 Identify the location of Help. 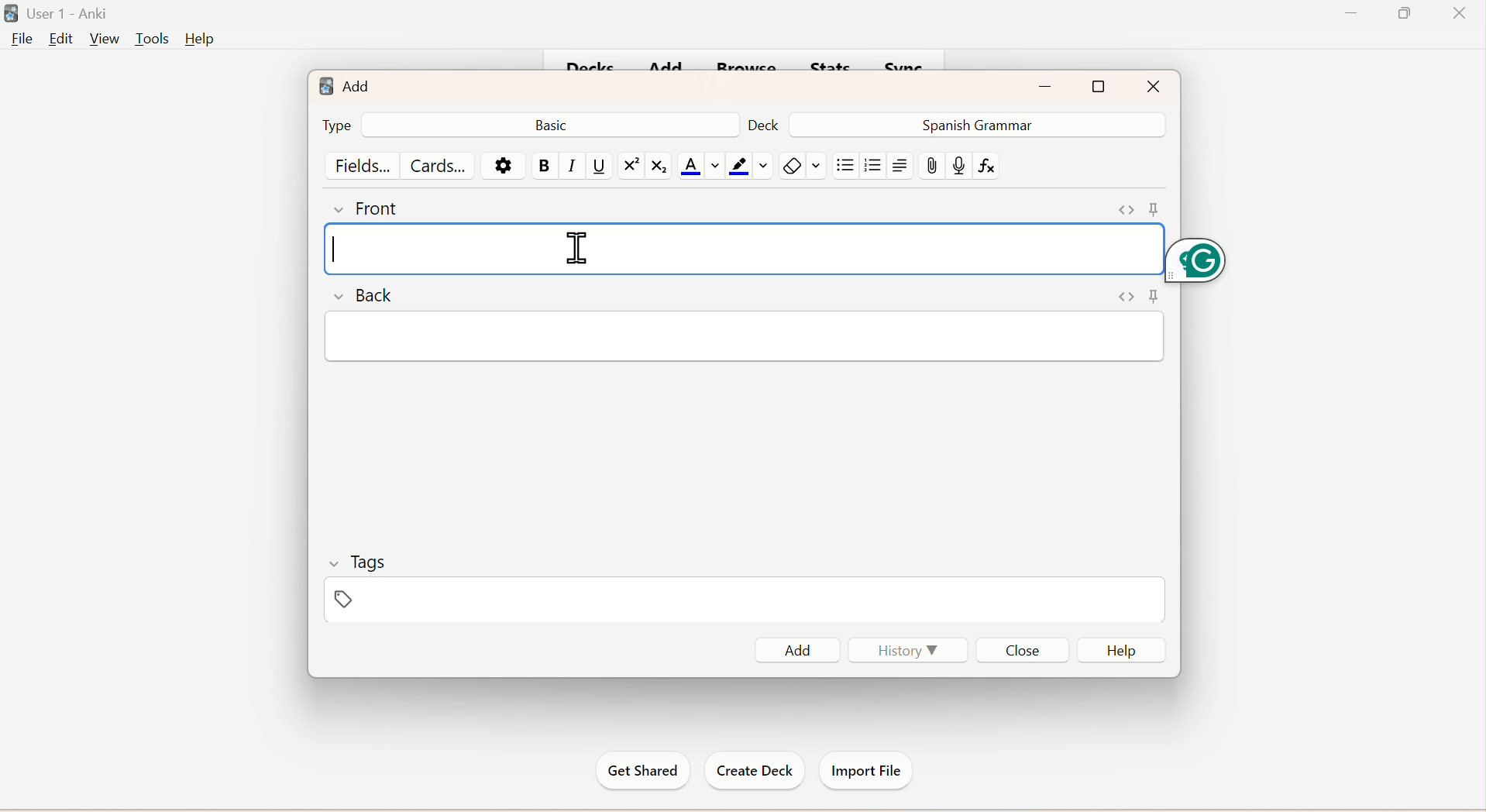
(198, 40).